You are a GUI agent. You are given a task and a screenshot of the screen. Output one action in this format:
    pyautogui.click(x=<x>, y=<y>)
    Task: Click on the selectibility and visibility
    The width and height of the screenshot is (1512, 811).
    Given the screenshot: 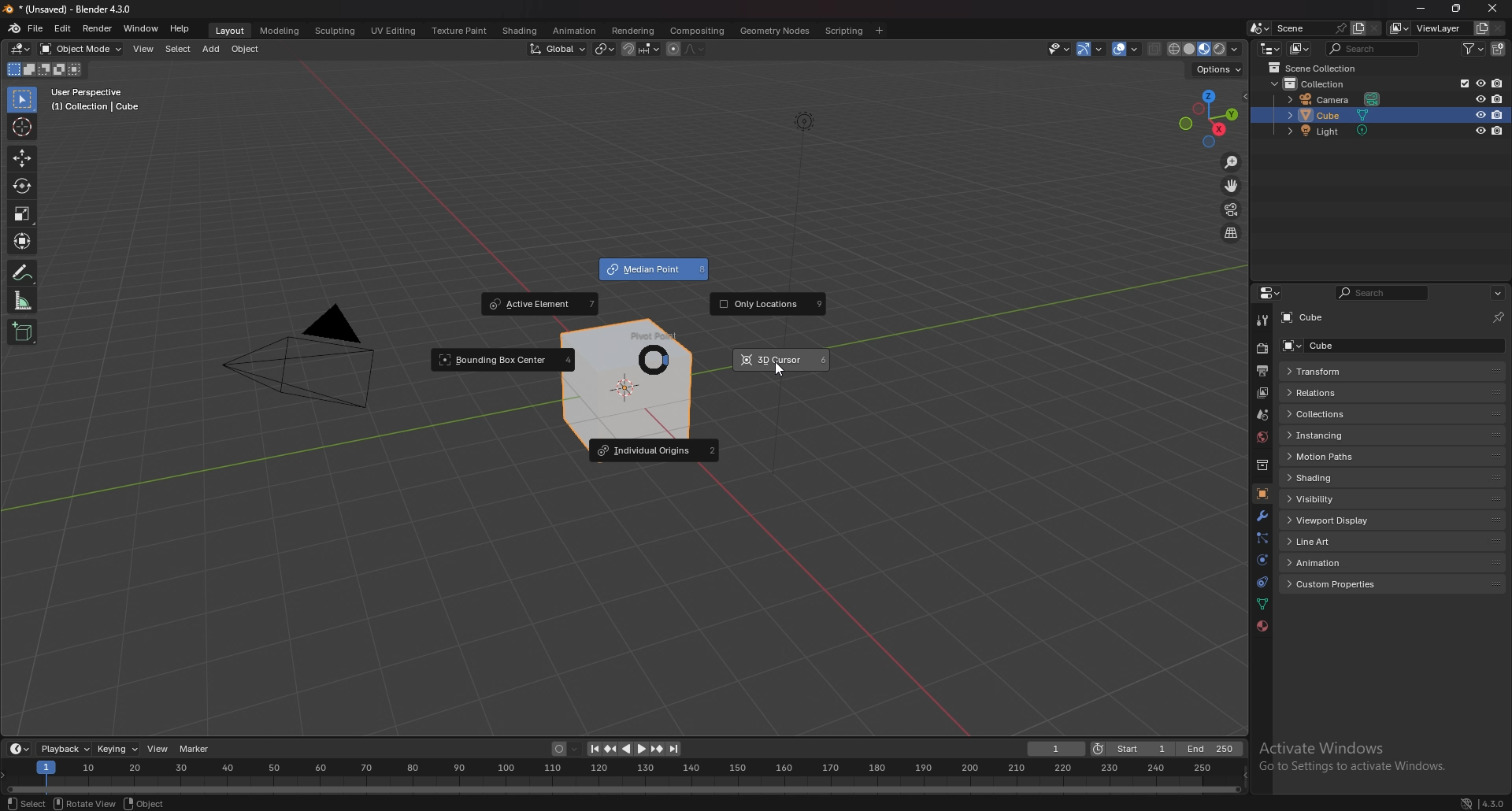 What is the action you would take?
    pyautogui.click(x=1059, y=49)
    